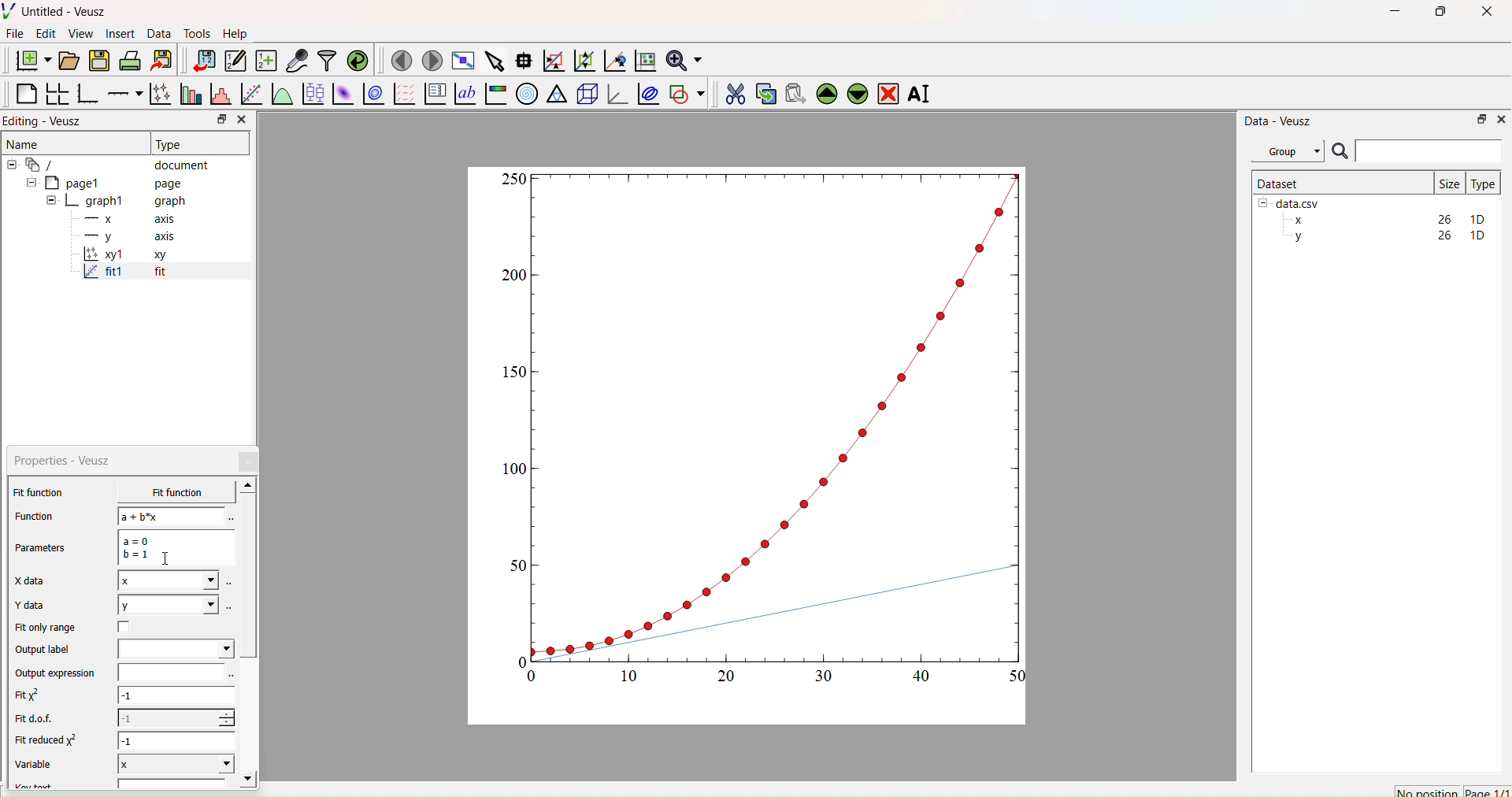  What do you see at coordinates (15, 33) in the screenshot?
I see `File` at bounding box center [15, 33].